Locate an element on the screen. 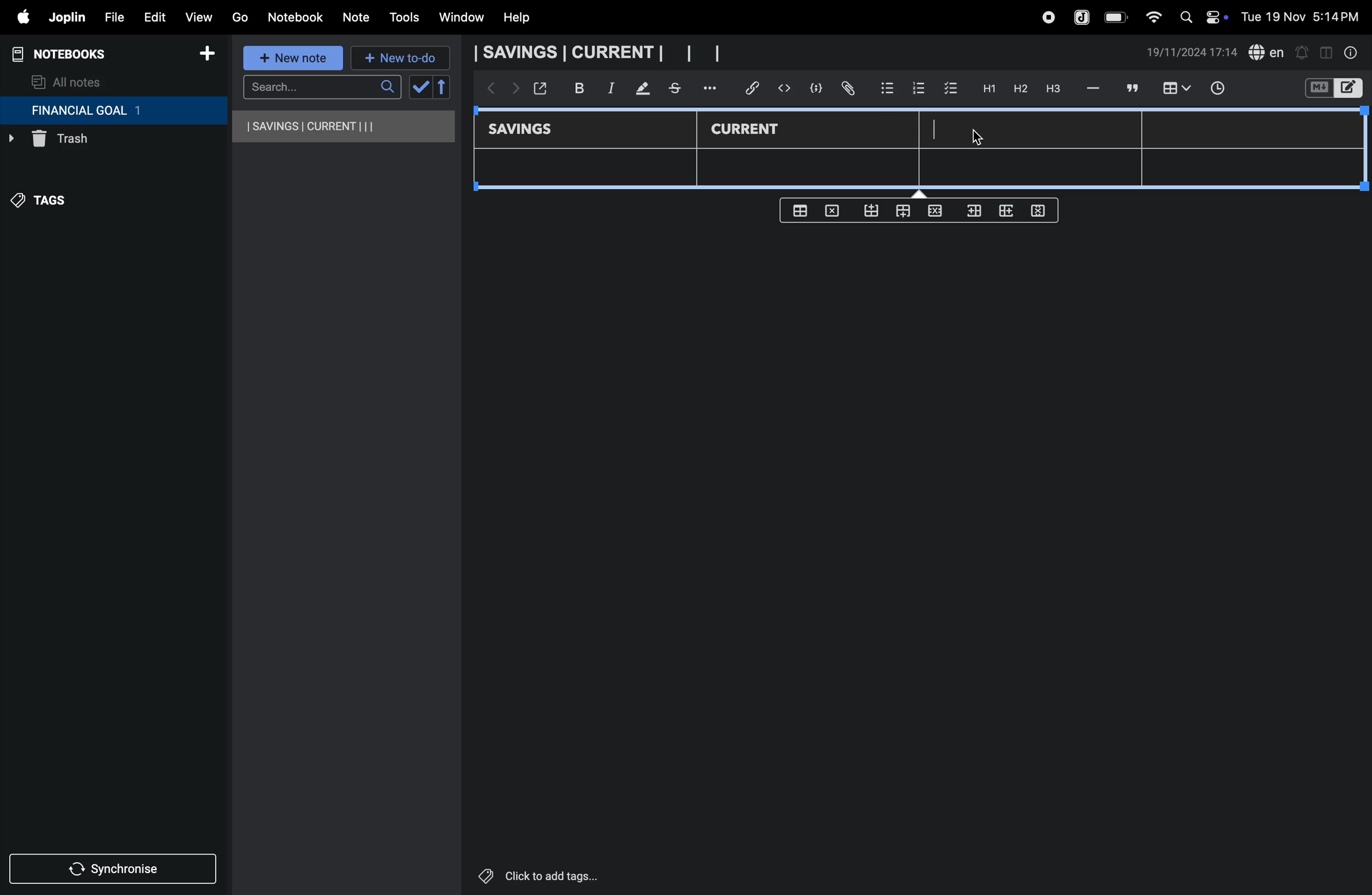  bullet list is located at coordinates (887, 87).